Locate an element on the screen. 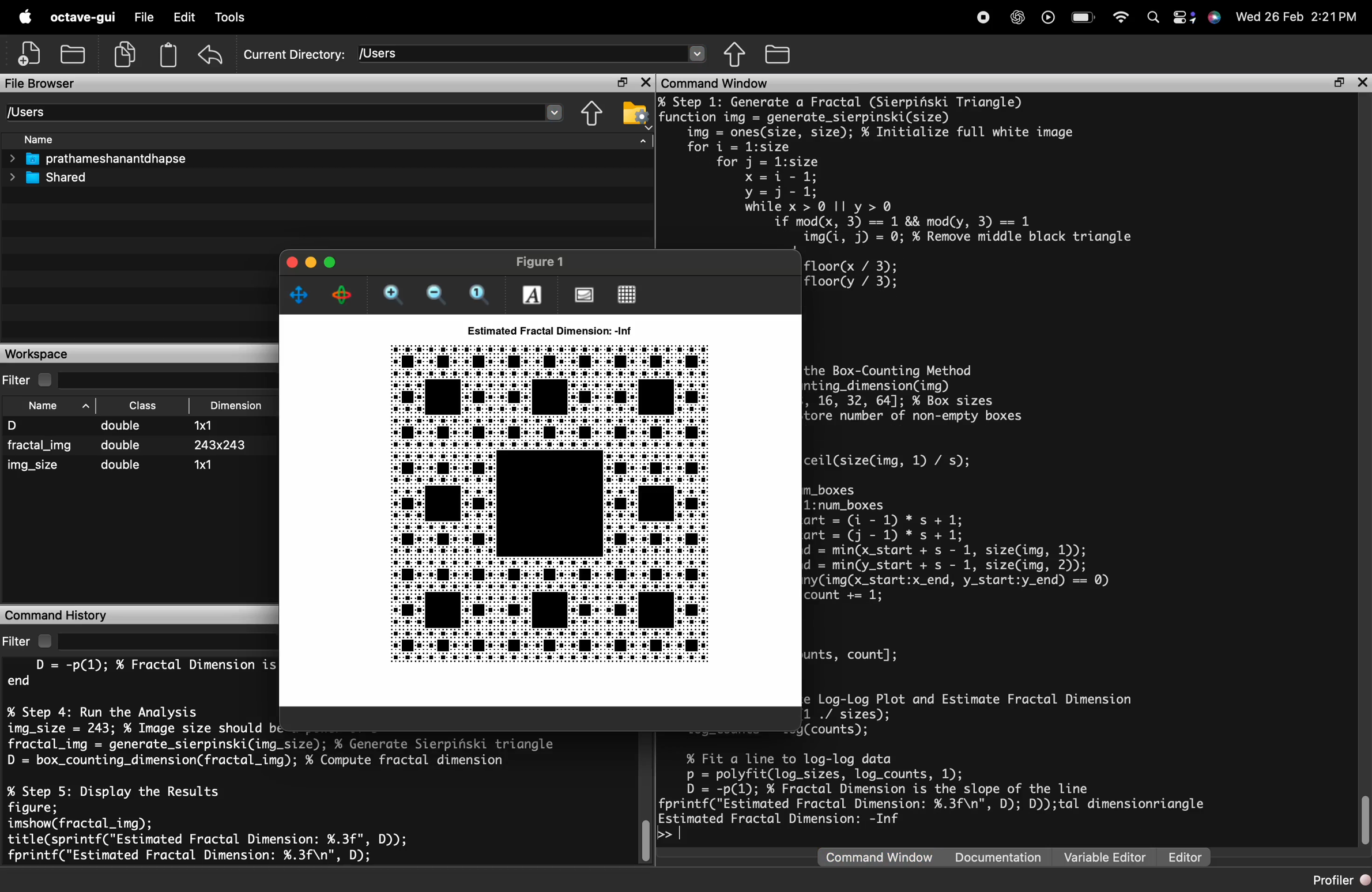 This screenshot has width=1372, height=892. close is located at coordinates (1362, 83).